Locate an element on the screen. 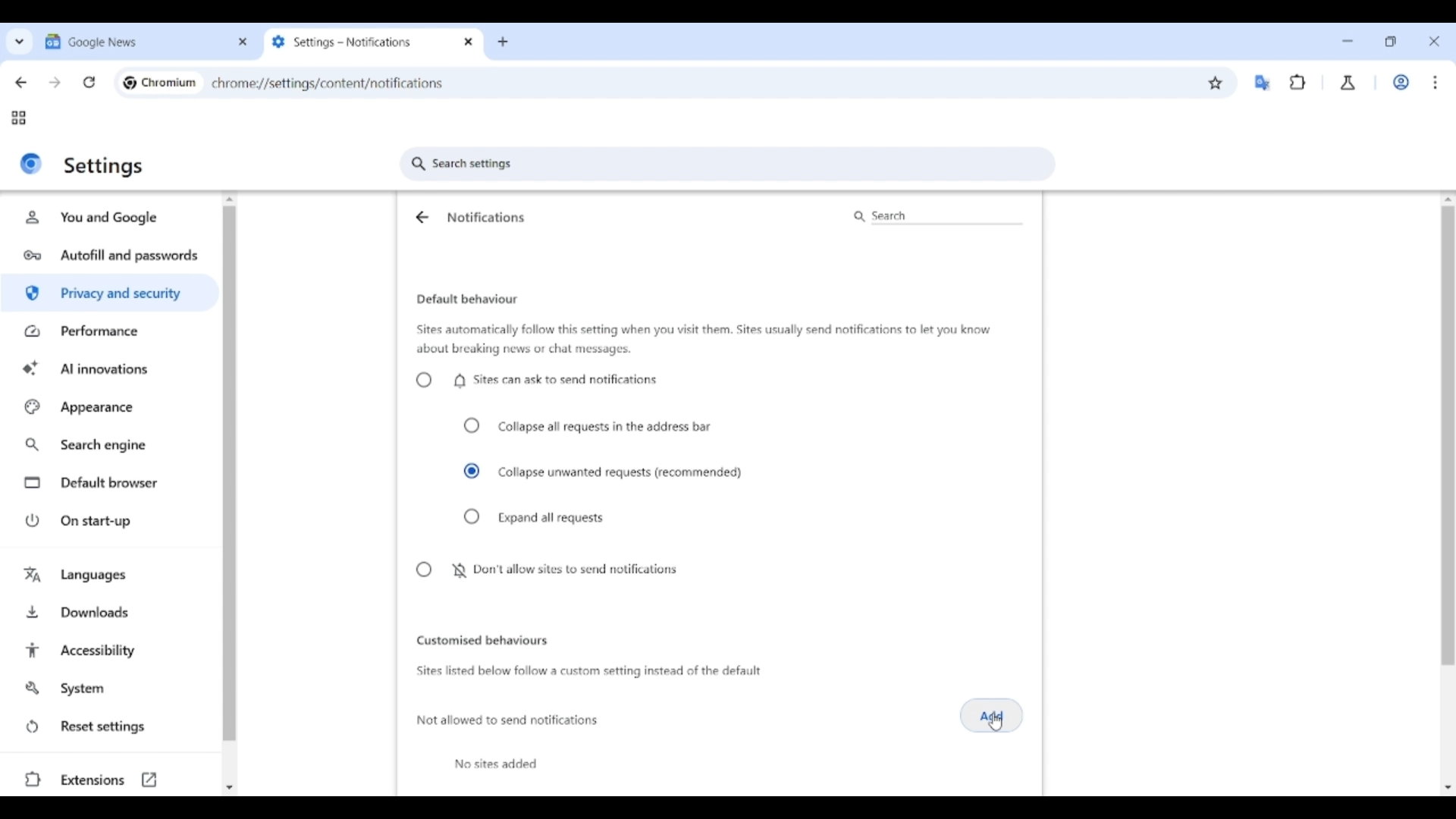 Image resolution: width=1456 pixels, height=819 pixels. Chrome labs is located at coordinates (1348, 83).